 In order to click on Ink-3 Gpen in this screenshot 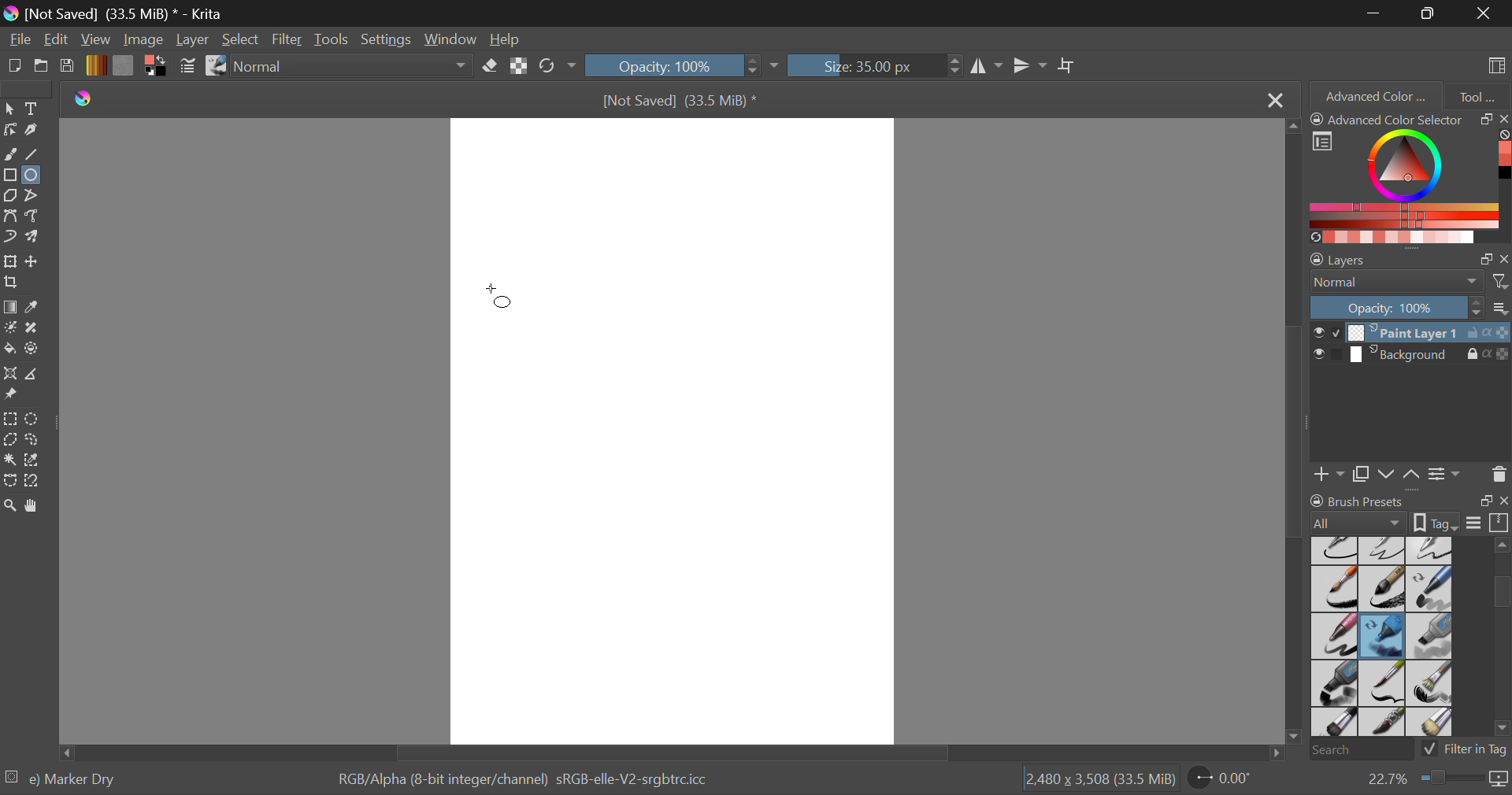, I will do `click(1384, 550)`.